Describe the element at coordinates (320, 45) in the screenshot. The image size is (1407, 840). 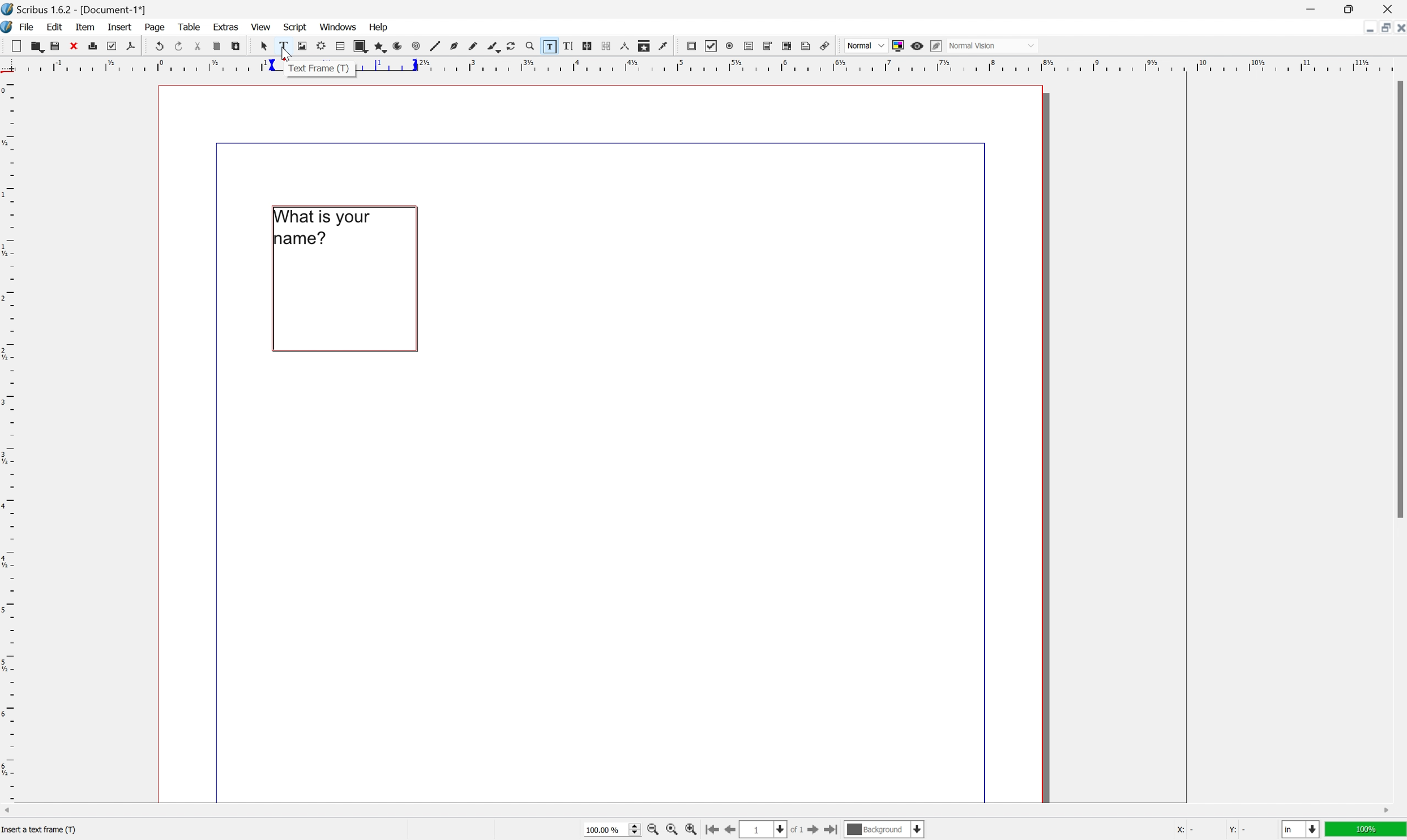
I see `render frame` at that location.